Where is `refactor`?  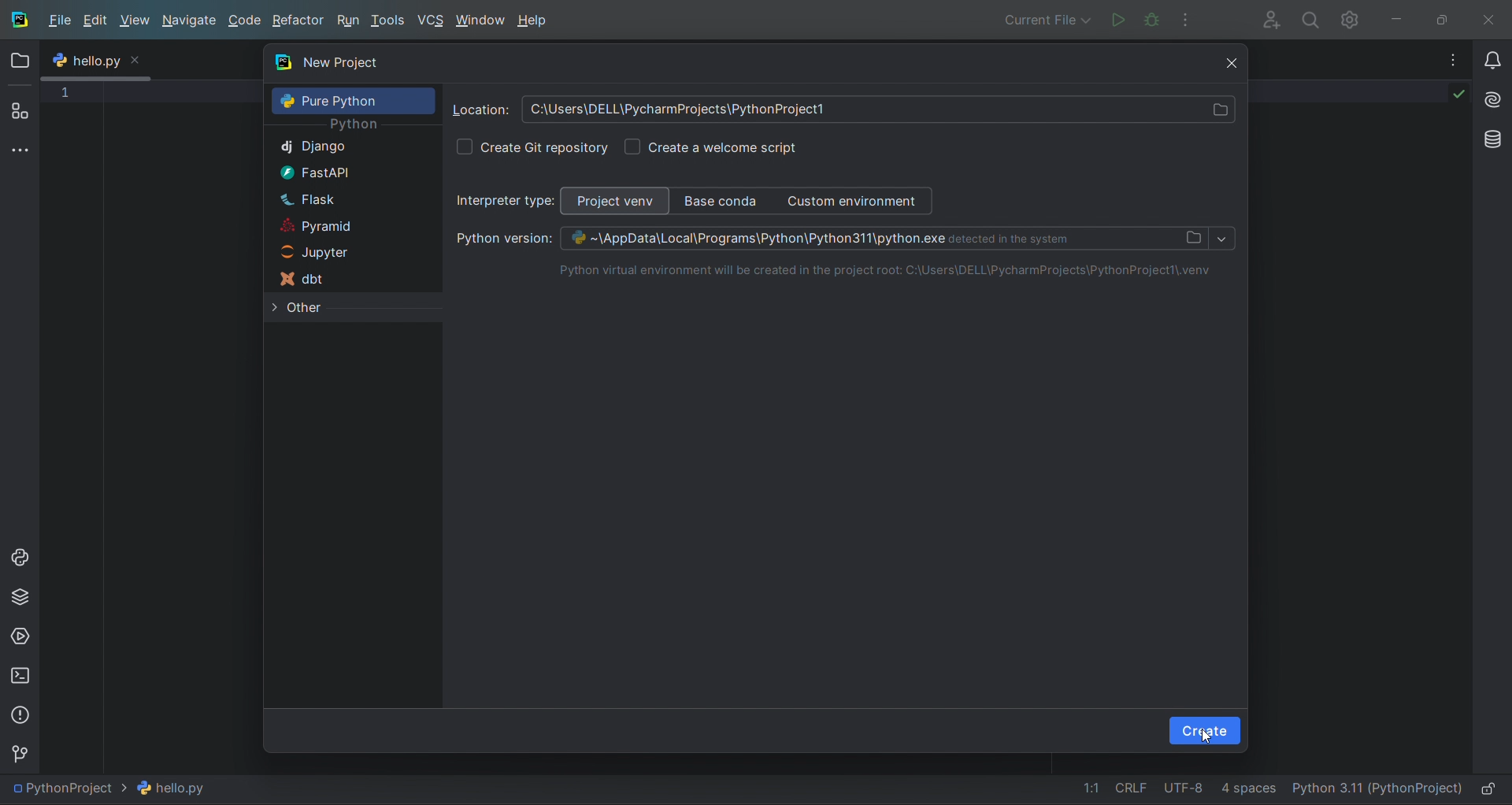 refactor is located at coordinates (298, 20).